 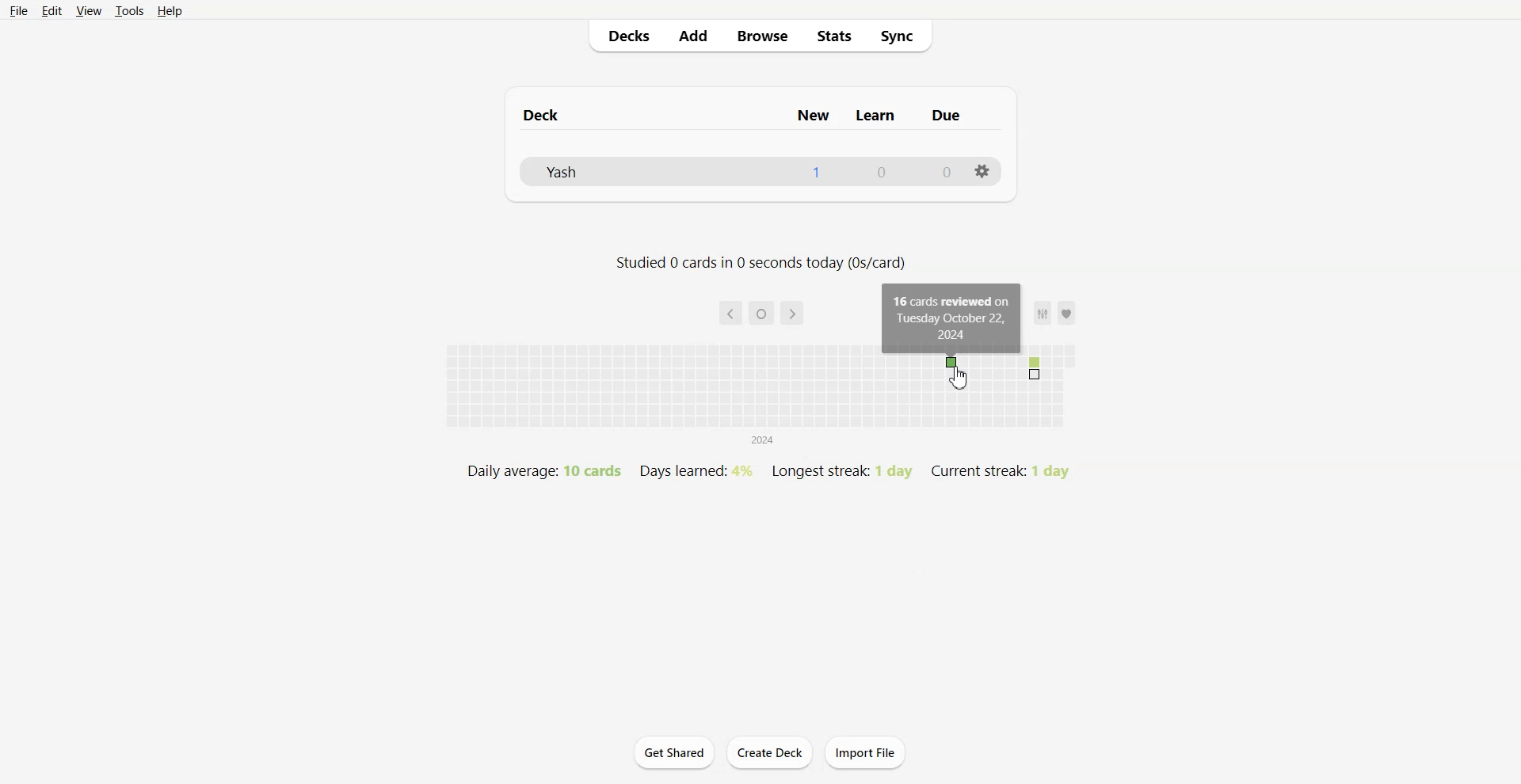 I want to click on Edit, so click(x=51, y=11).